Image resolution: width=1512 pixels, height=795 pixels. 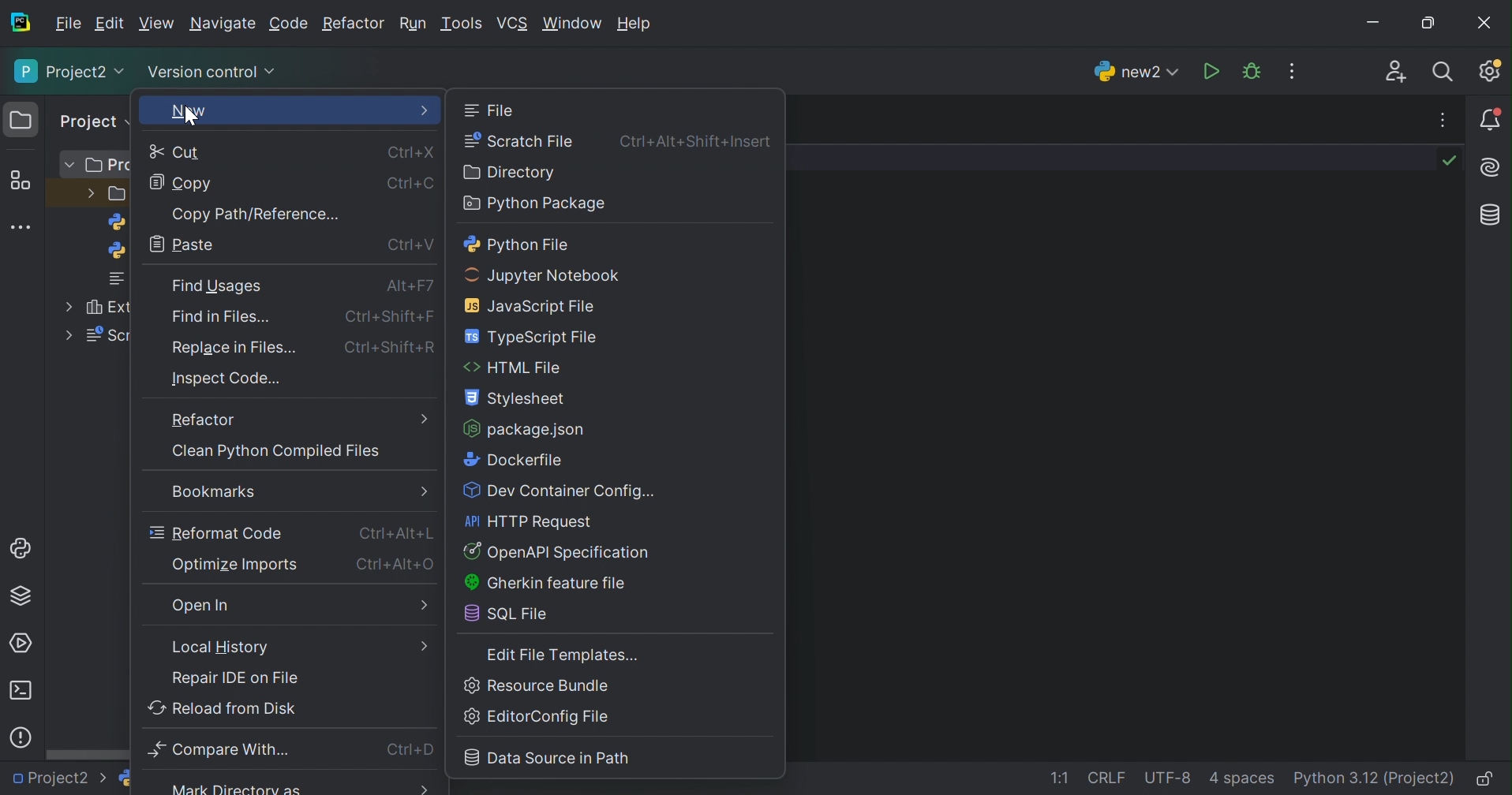 I want to click on new2, so click(x=1134, y=72).